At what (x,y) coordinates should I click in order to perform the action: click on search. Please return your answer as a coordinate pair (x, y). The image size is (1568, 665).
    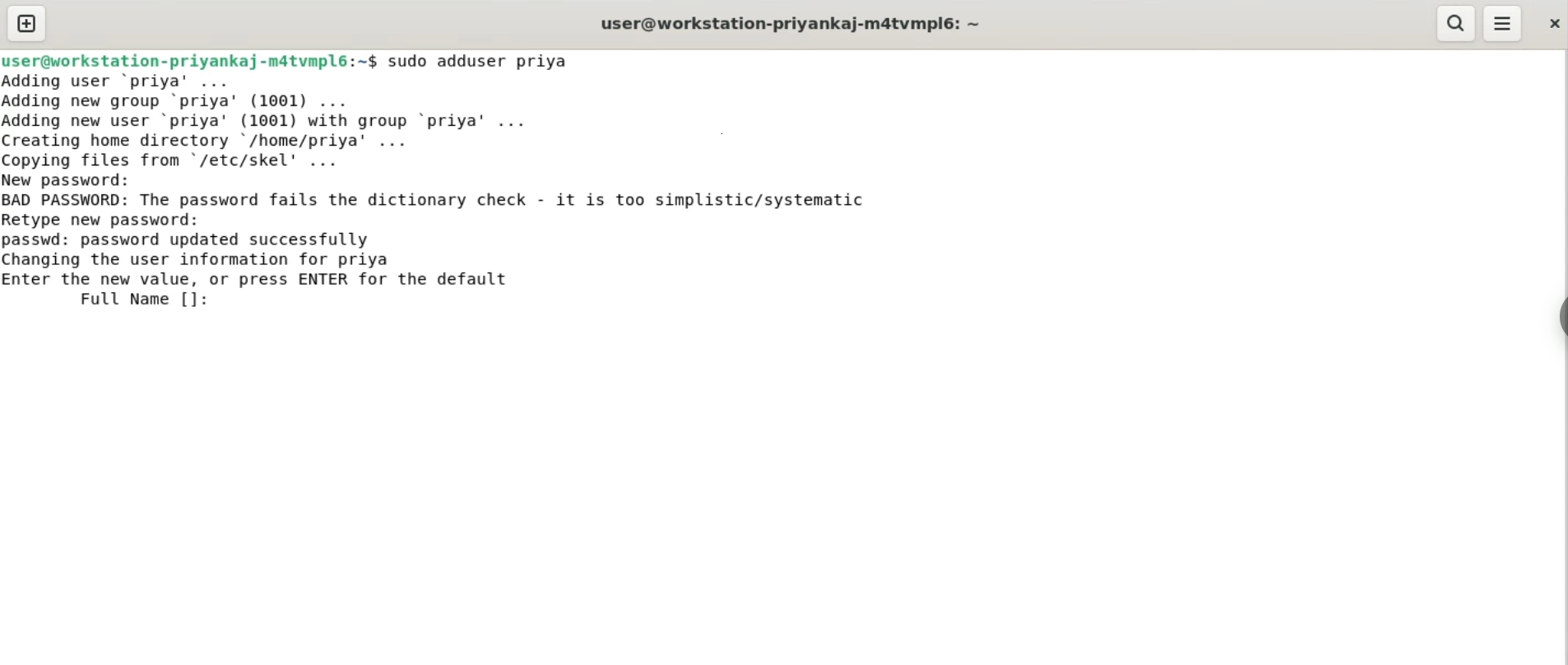
    Looking at the image, I should click on (1454, 23).